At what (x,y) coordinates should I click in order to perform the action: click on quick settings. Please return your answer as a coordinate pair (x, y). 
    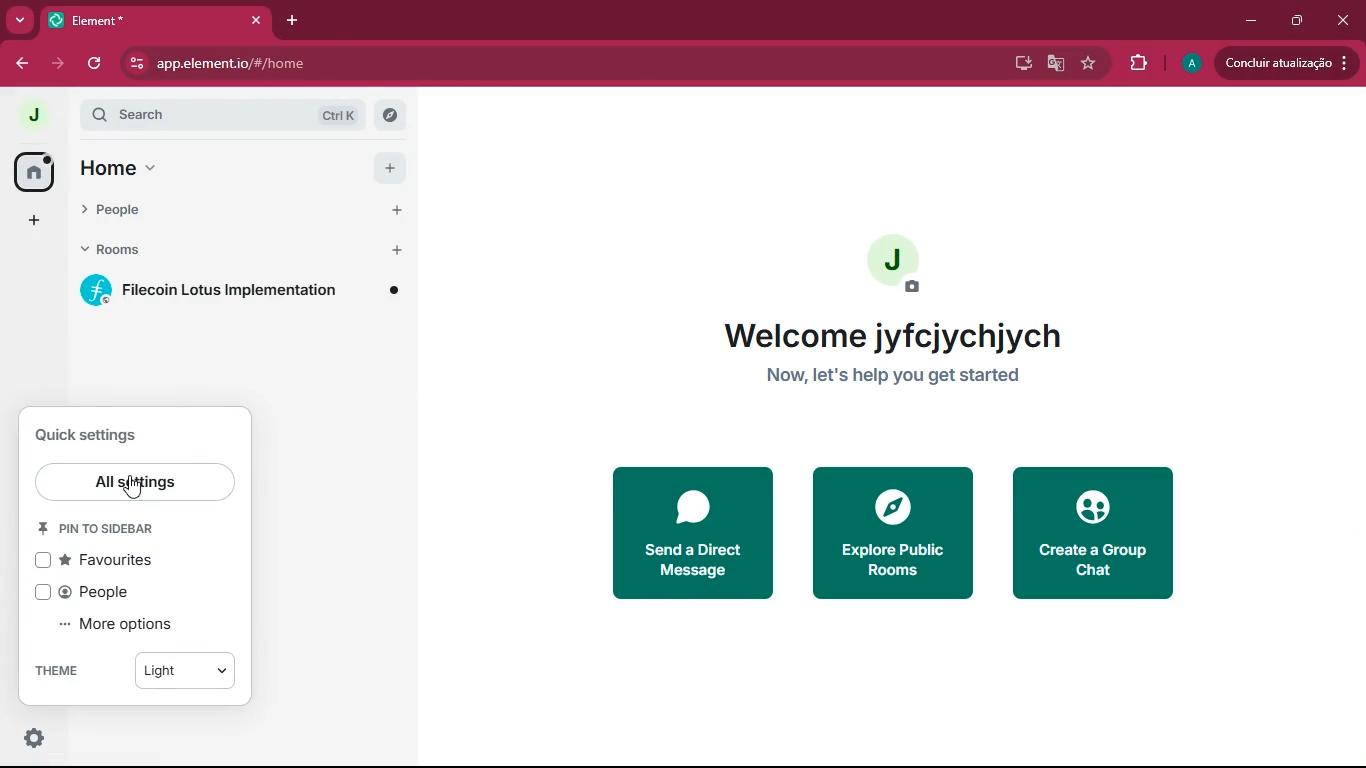
    Looking at the image, I should click on (107, 739).